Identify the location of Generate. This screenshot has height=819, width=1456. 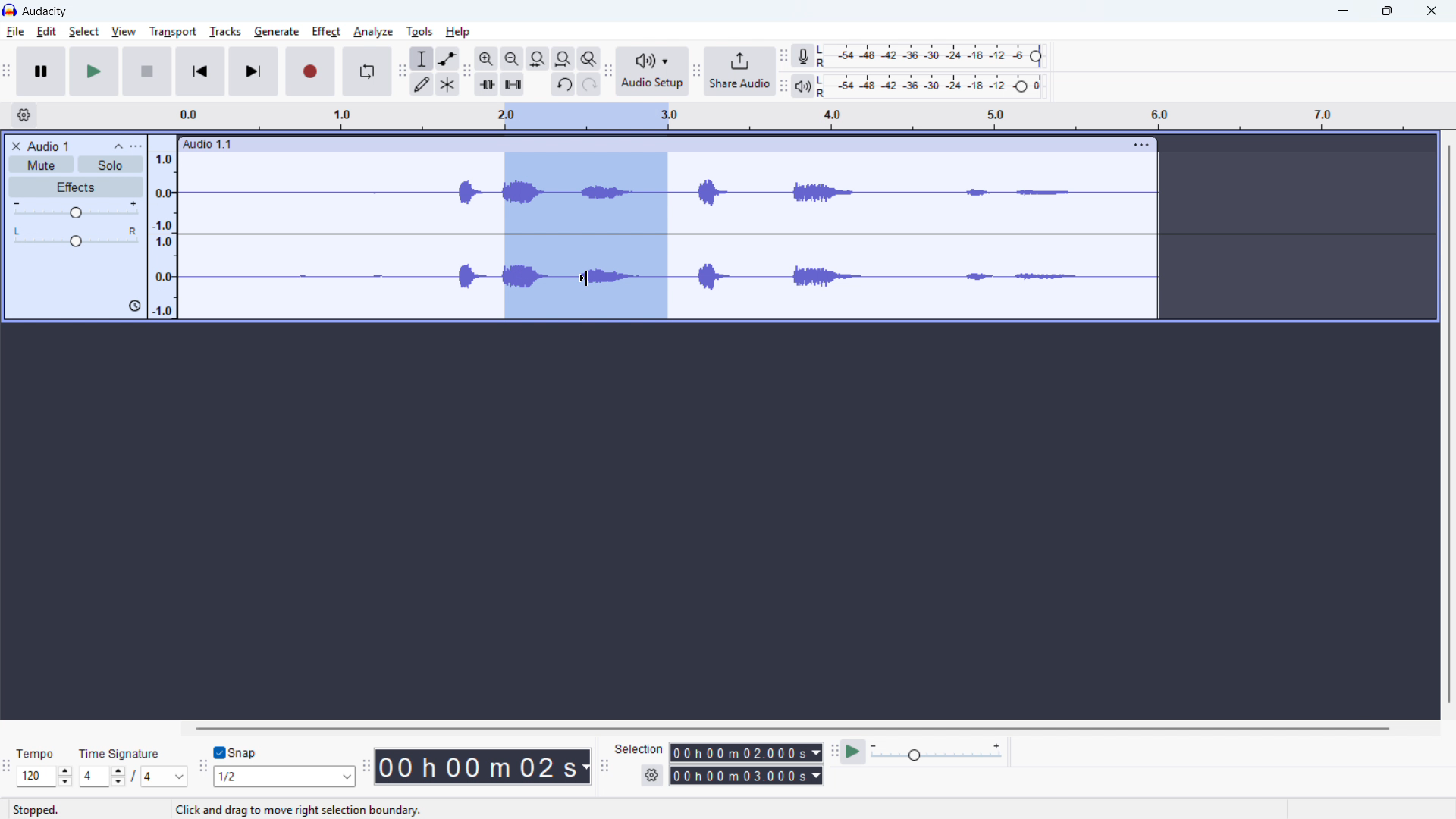
(275, 32).